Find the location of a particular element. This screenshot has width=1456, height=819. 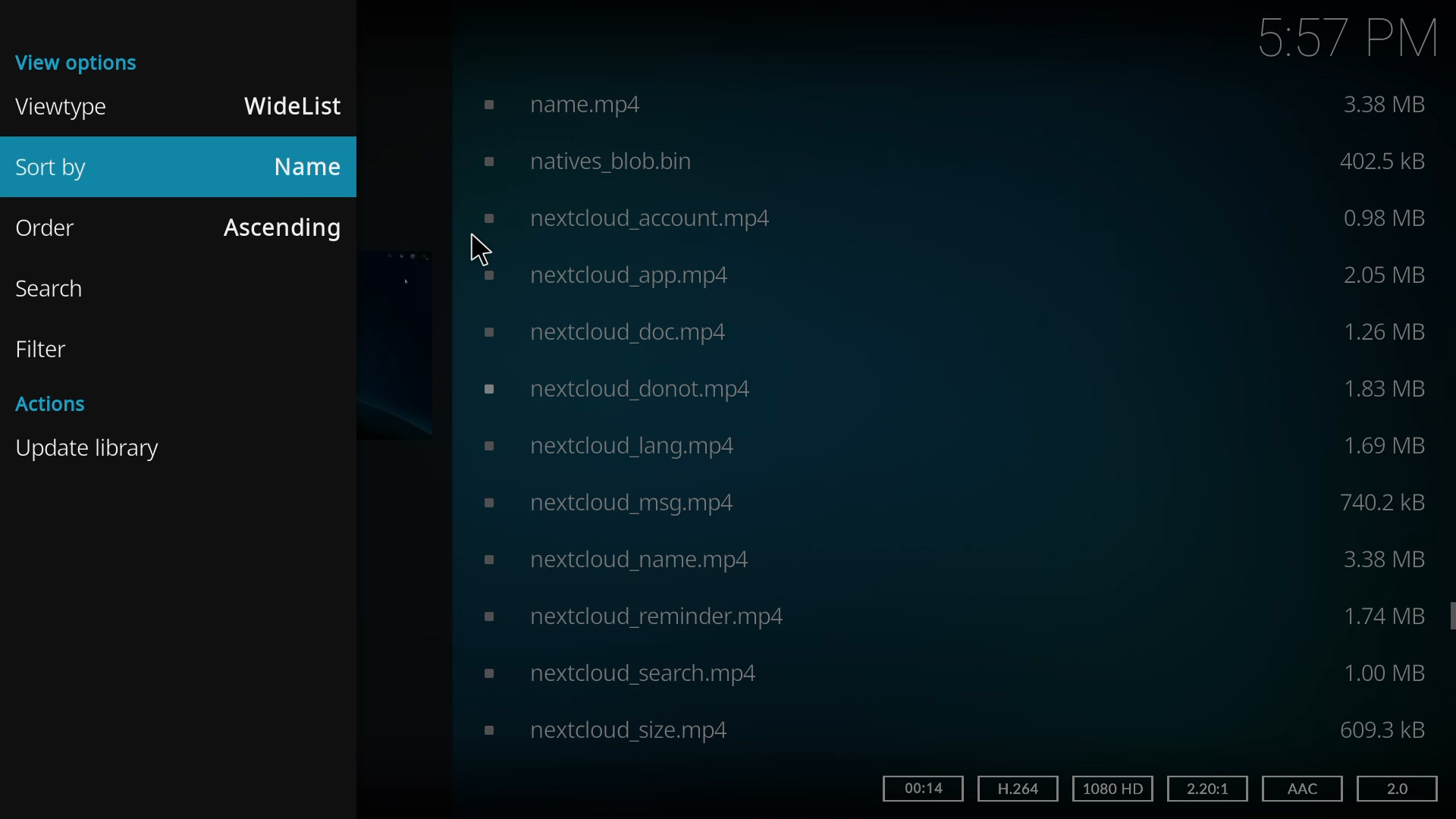

size is located at coordinates (1384, 673).